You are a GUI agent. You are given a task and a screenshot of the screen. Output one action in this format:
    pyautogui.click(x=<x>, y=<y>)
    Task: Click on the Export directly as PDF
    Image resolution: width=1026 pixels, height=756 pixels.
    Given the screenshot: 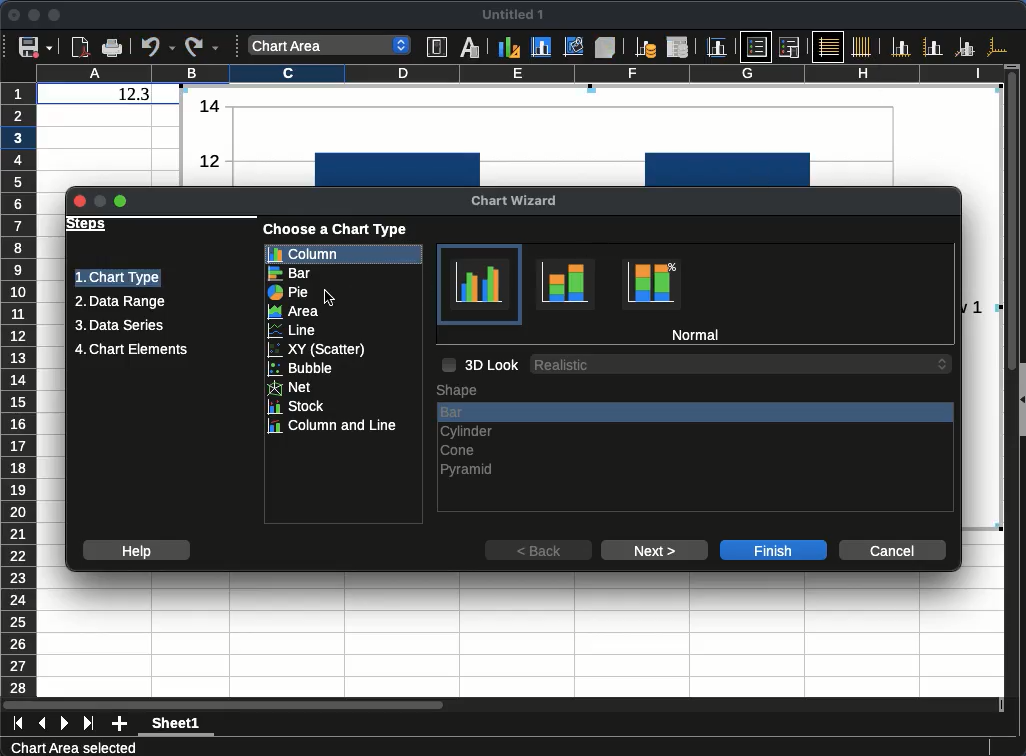 What is the action you would take?
    pyautogui.click(x=82, y=48)
    